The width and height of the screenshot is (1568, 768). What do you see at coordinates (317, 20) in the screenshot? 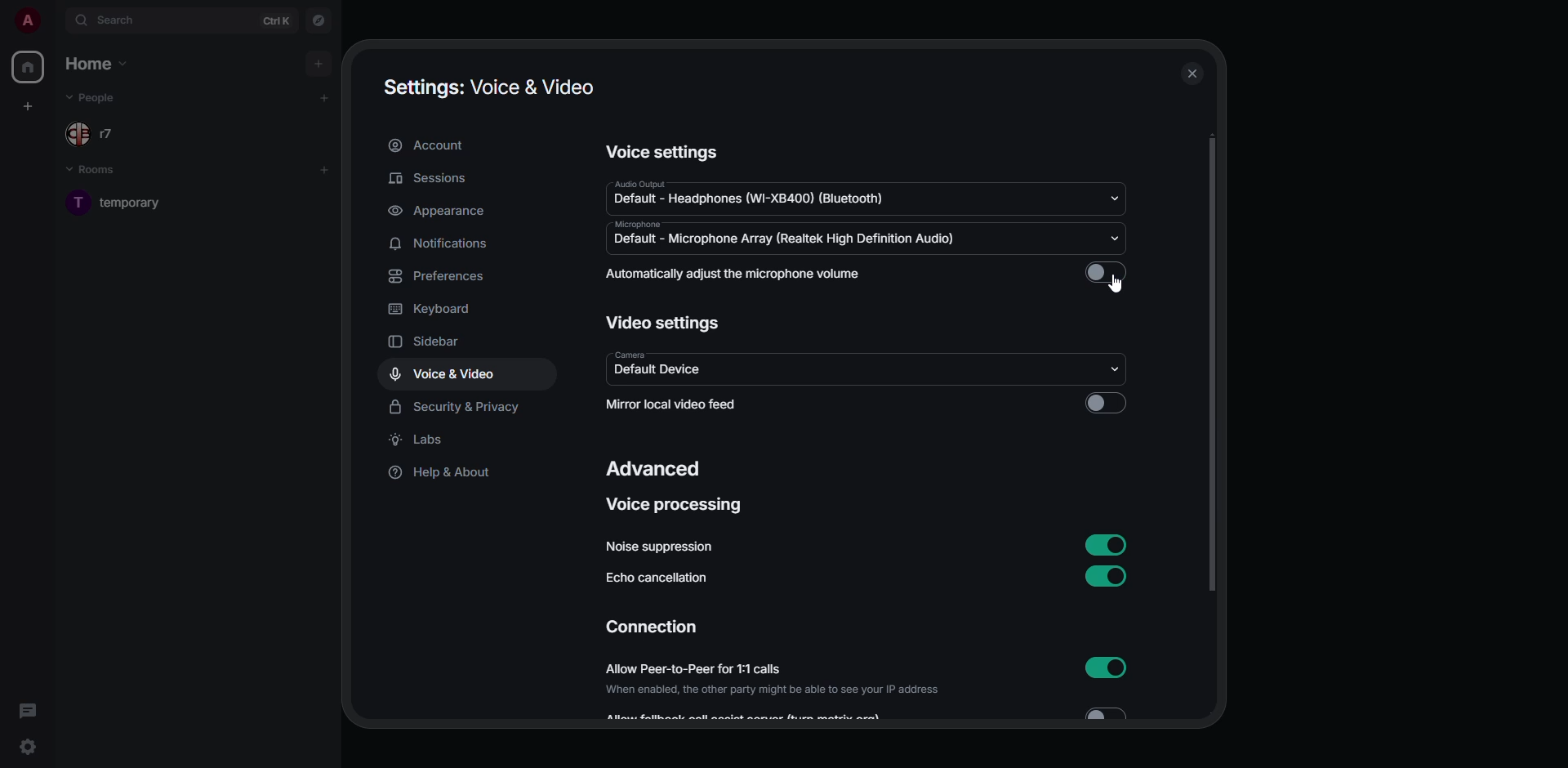
I see `navigator` at bounding box center [317, 20].